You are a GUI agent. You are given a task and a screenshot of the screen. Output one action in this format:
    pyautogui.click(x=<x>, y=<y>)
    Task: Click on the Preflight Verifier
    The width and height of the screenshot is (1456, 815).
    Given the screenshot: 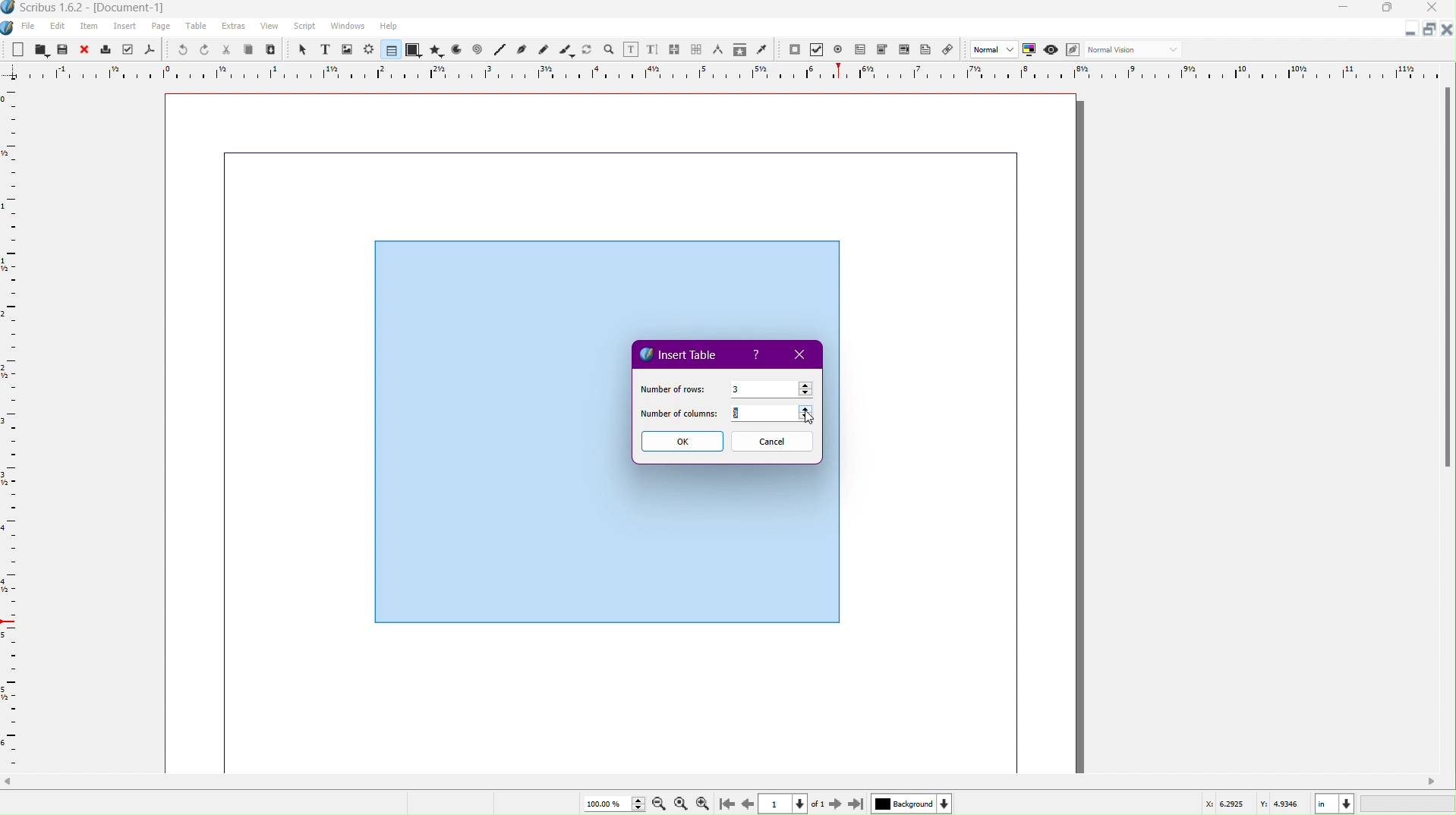 What is the action you would take?
    pyautogui.click(x=125, y=50)
    